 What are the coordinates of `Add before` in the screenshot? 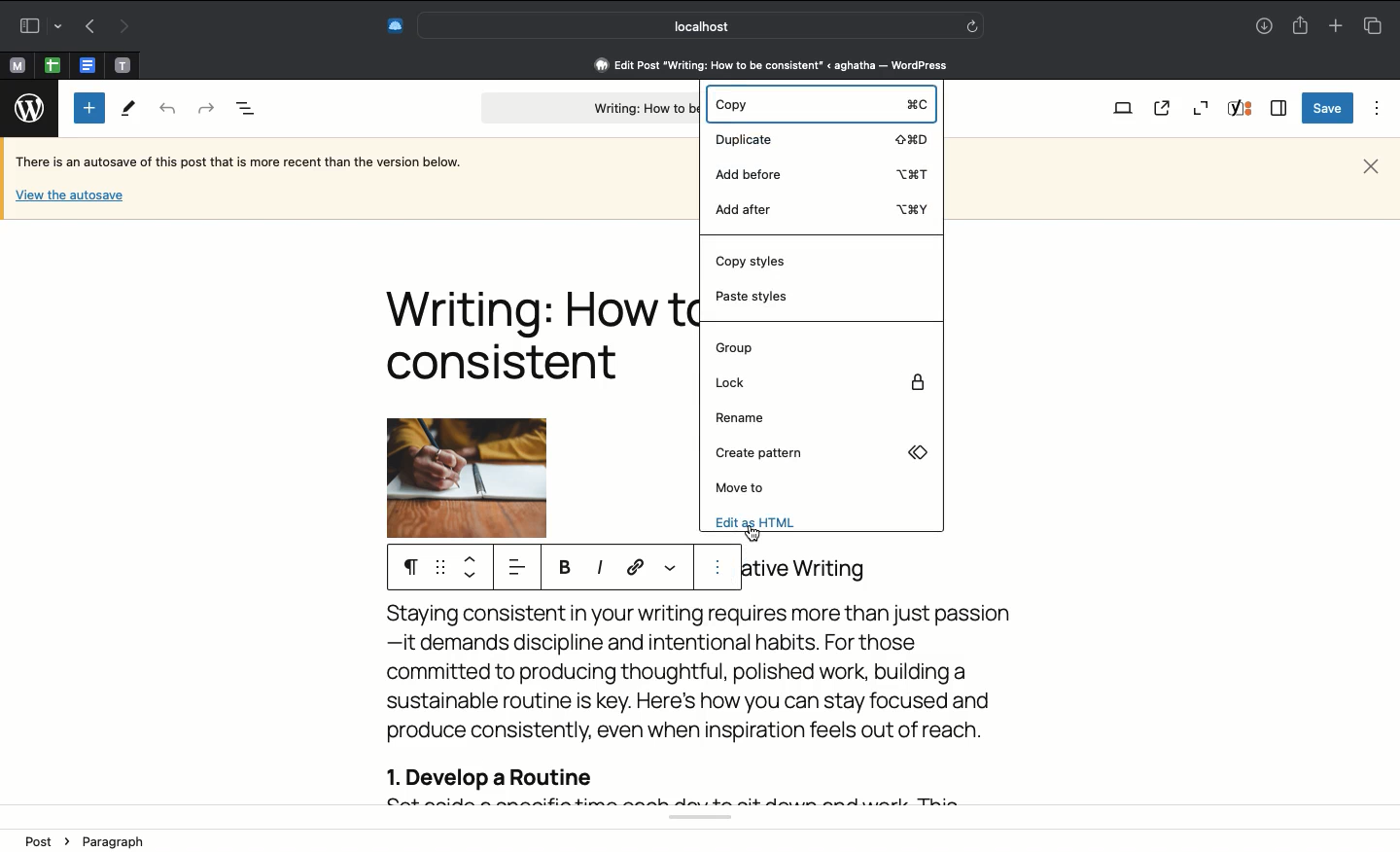 It's located at (818, 172).